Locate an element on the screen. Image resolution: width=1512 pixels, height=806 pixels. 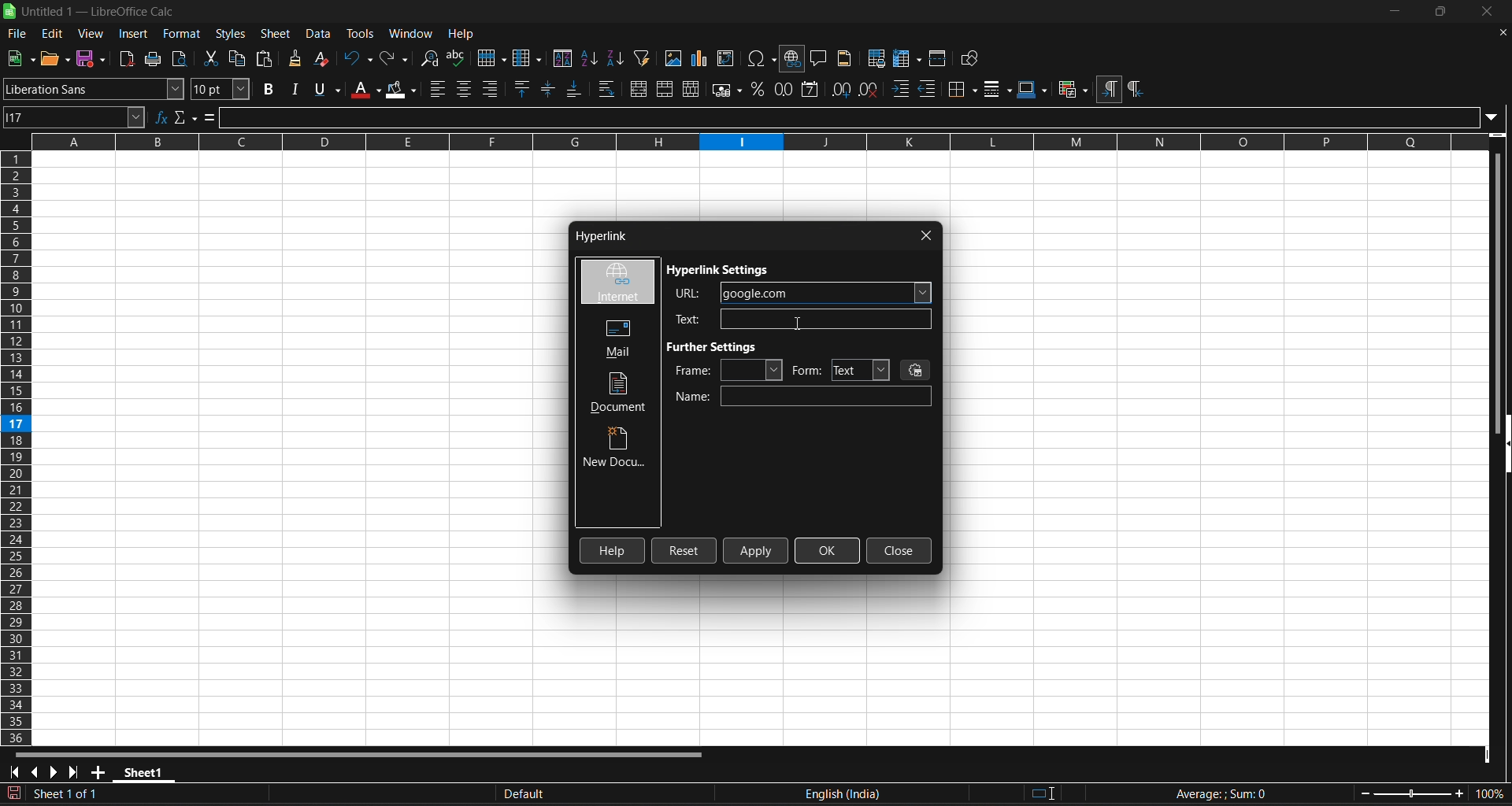
close is located at coordinates (899, 551).